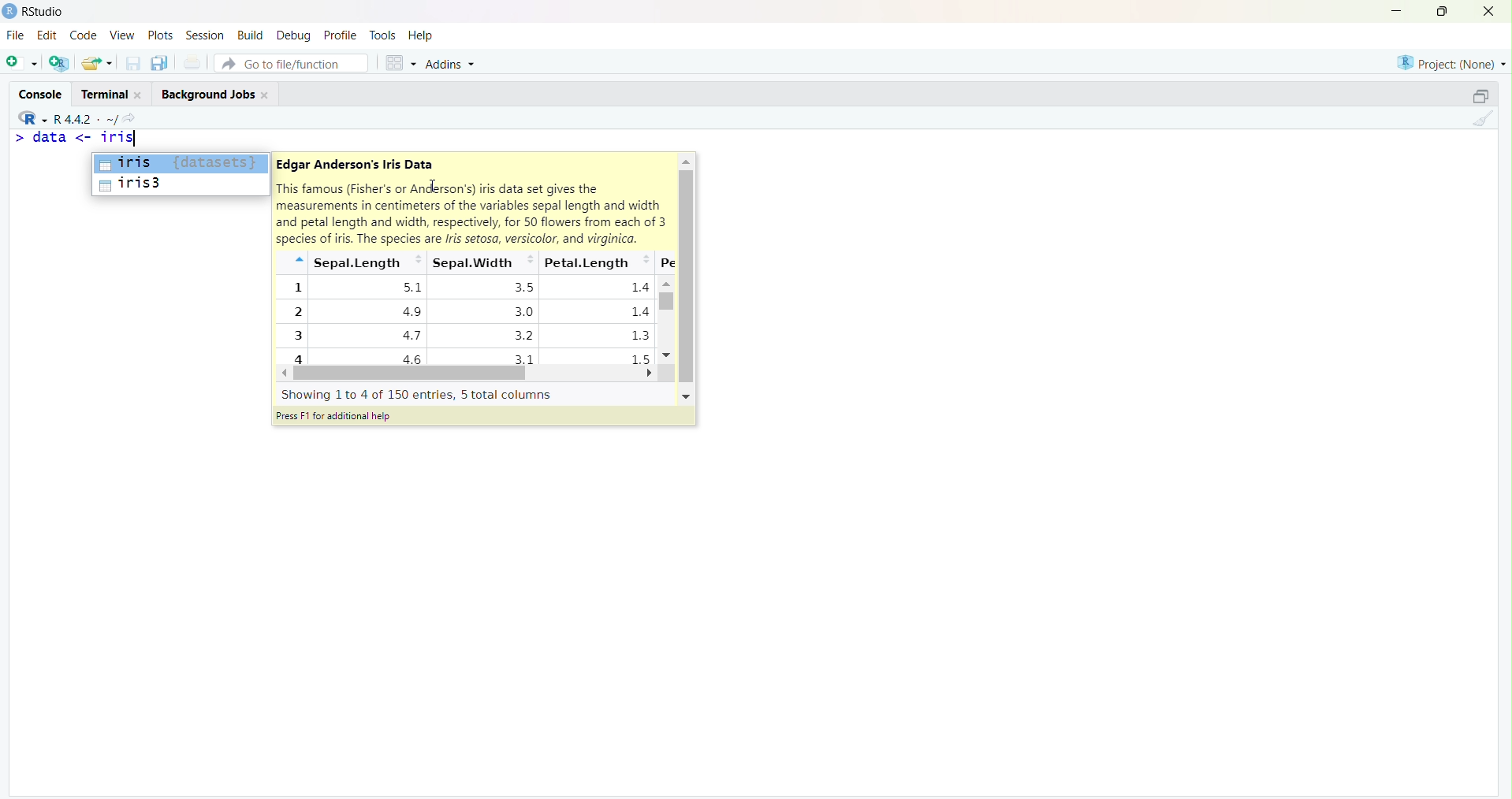 The image size is (1512, 799). Describe the element at coordinates (136, 117) in the screenshot. I see `View the current working directory` at that location.